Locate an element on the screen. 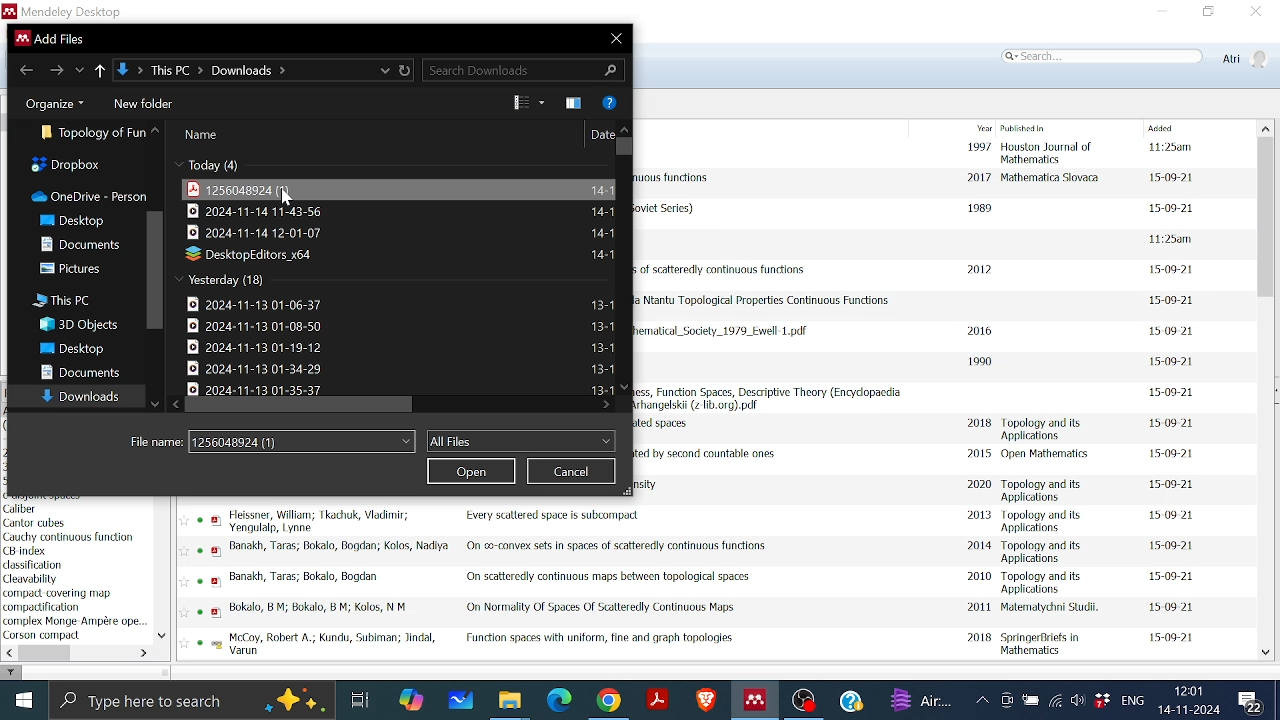 This screenshot has width=1280, height=720. keyword is located at coordinates (31, 552).